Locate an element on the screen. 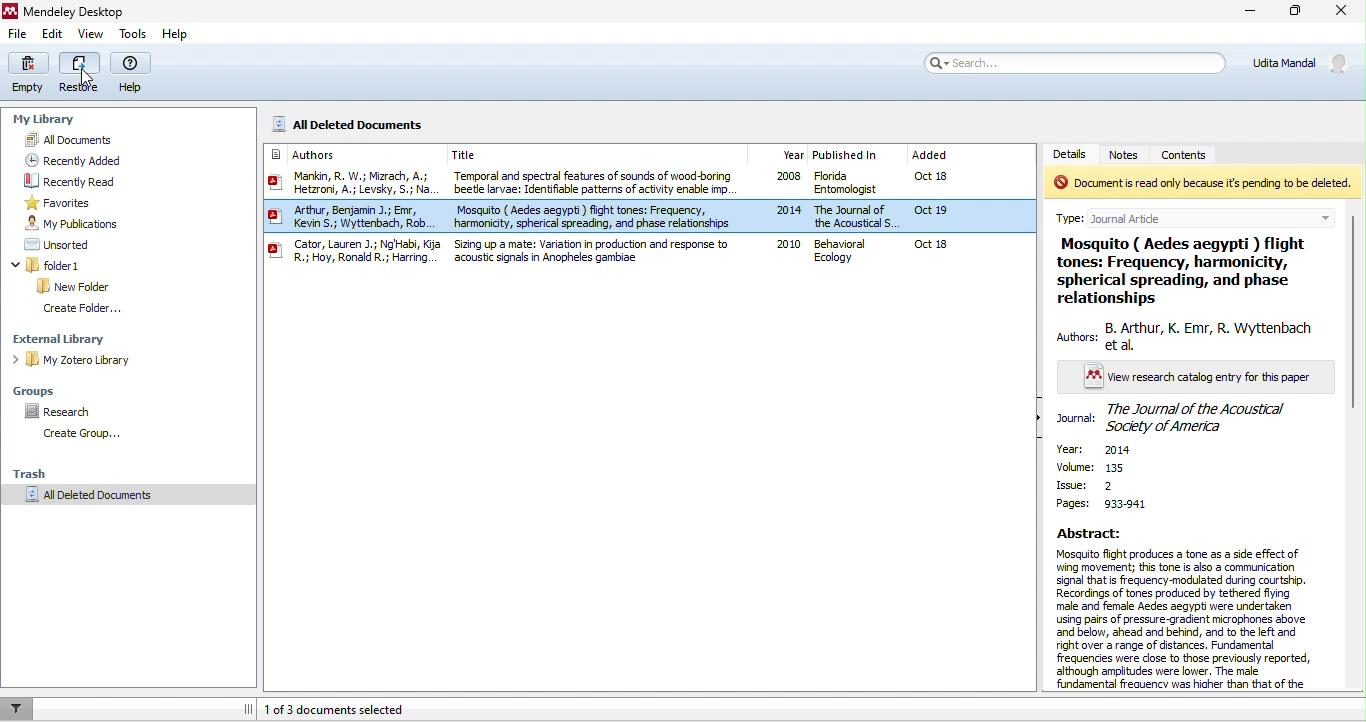 The width and height of the screenshot is (1366, 722). issue is located at coordinates (1084, 485).